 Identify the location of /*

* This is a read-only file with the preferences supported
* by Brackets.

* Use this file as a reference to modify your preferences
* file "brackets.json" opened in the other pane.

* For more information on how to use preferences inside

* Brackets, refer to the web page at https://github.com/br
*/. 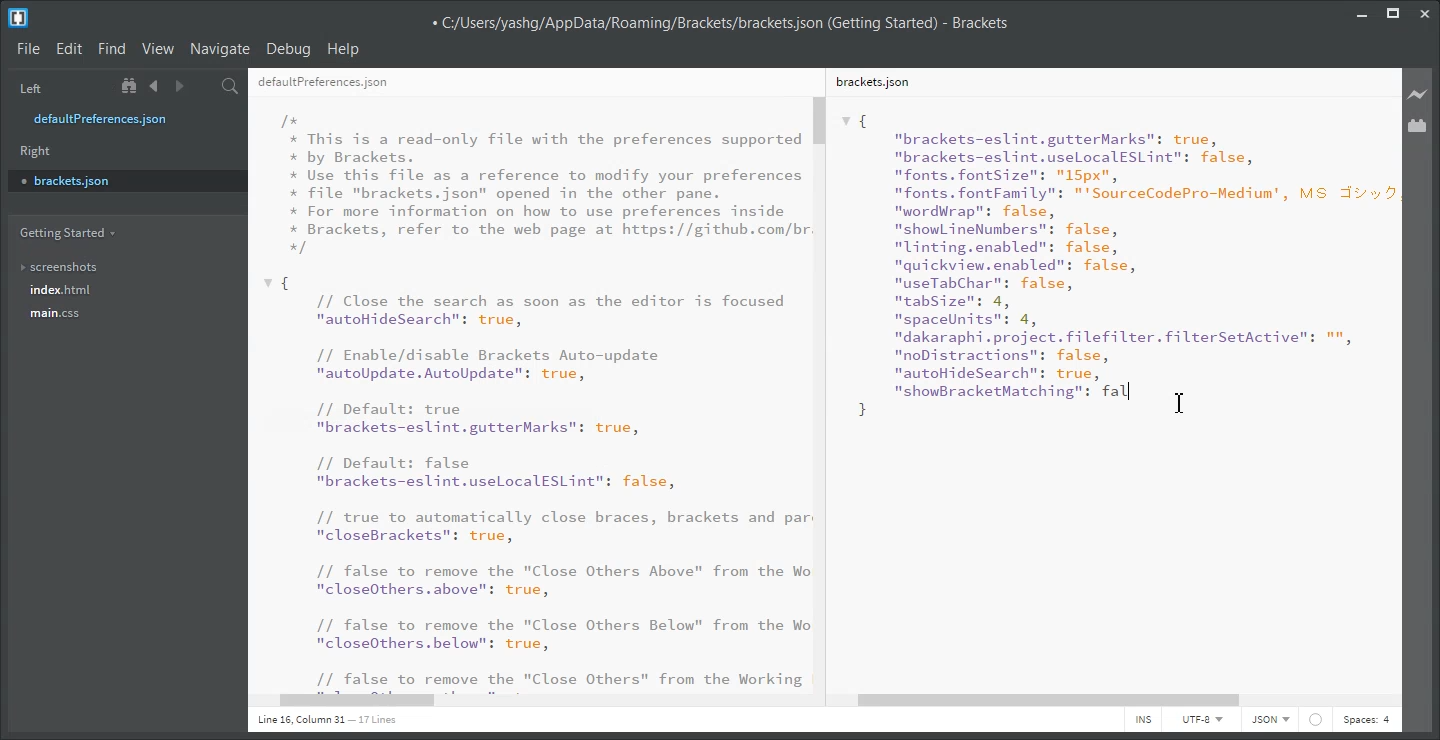
(546, 184).